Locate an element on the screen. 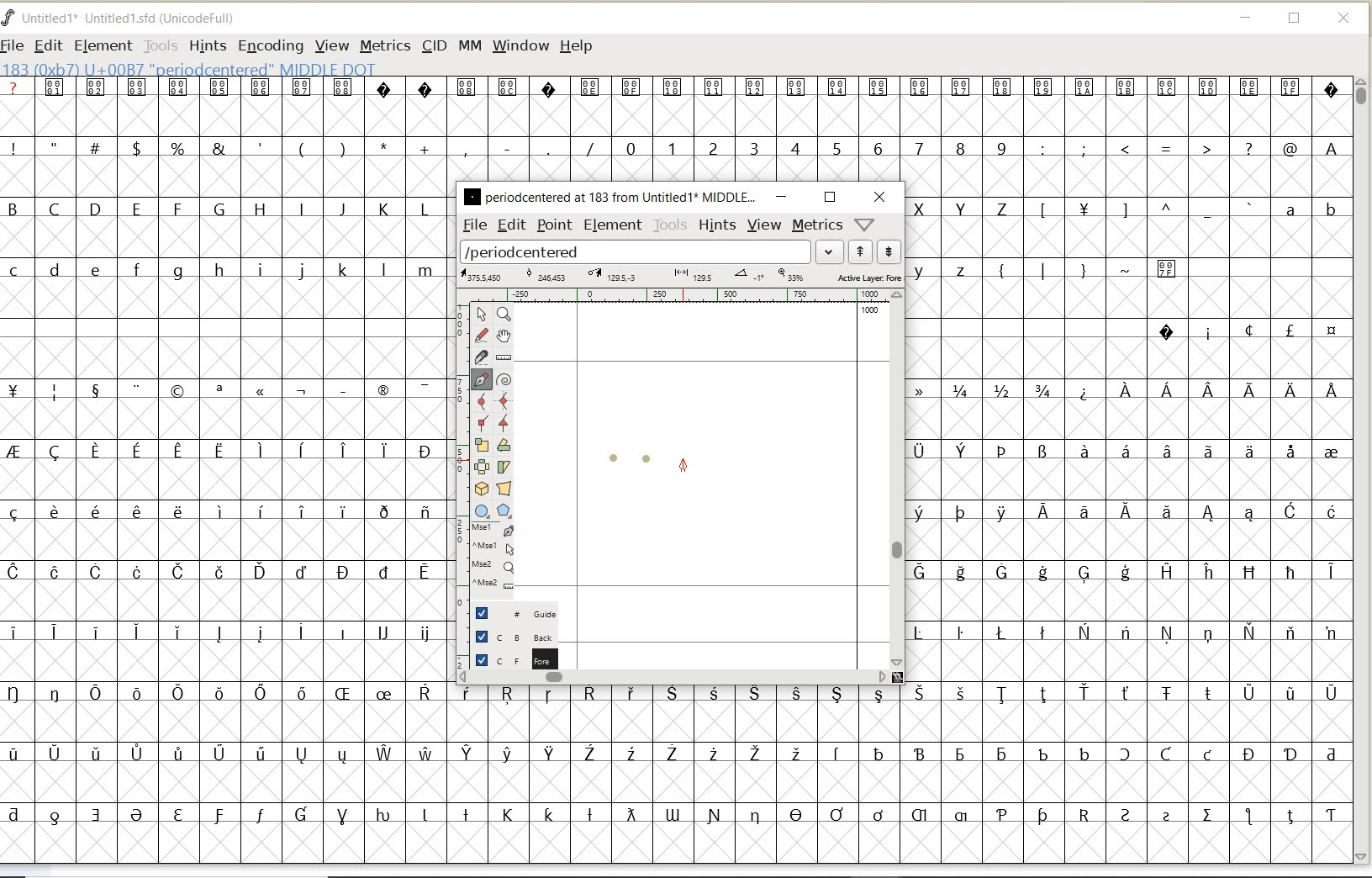  lowercase letters is located at coordinates (1310, 213).